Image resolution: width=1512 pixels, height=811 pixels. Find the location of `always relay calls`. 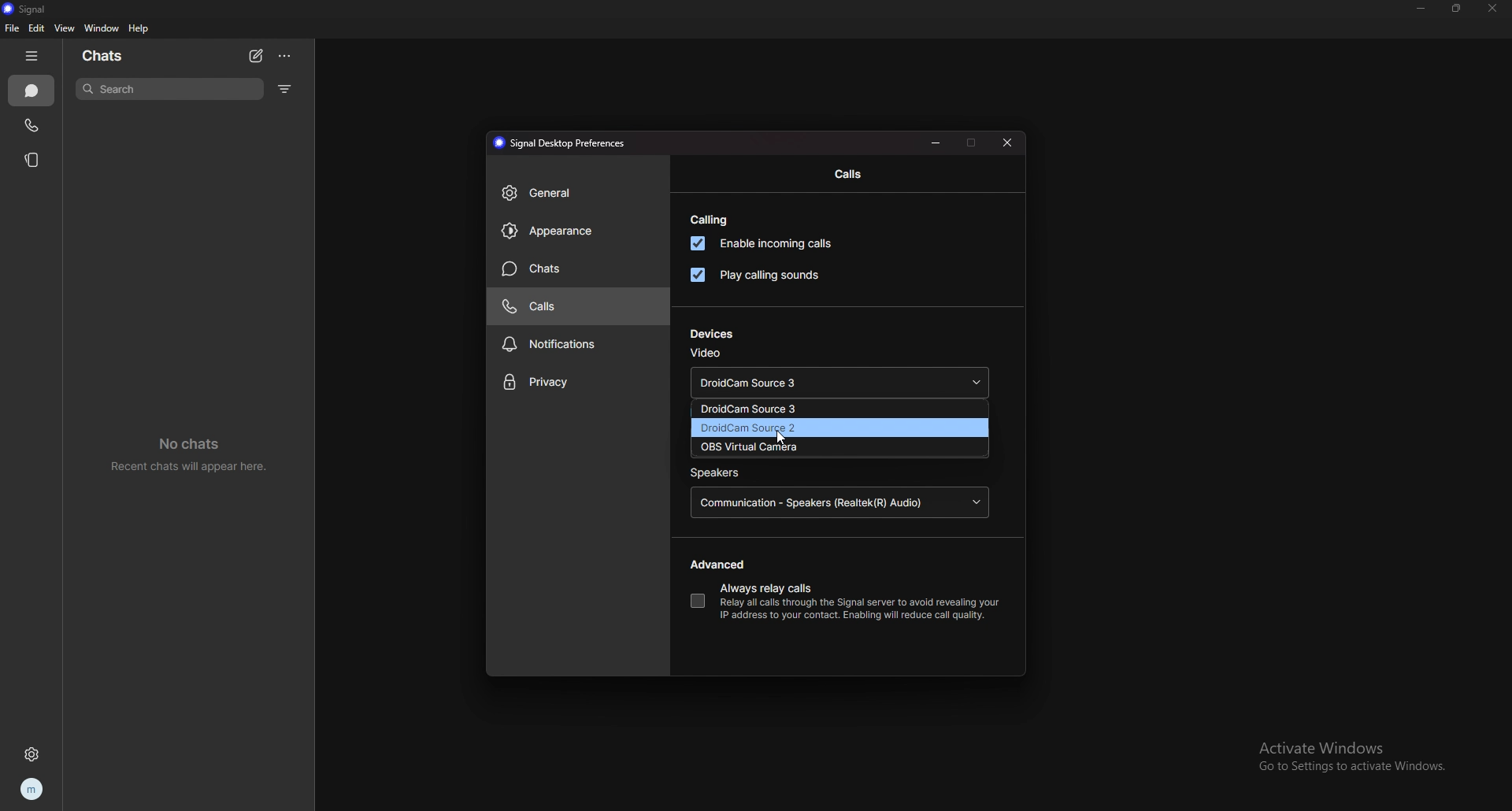

always relay calls is located at coordinates (697, 601).